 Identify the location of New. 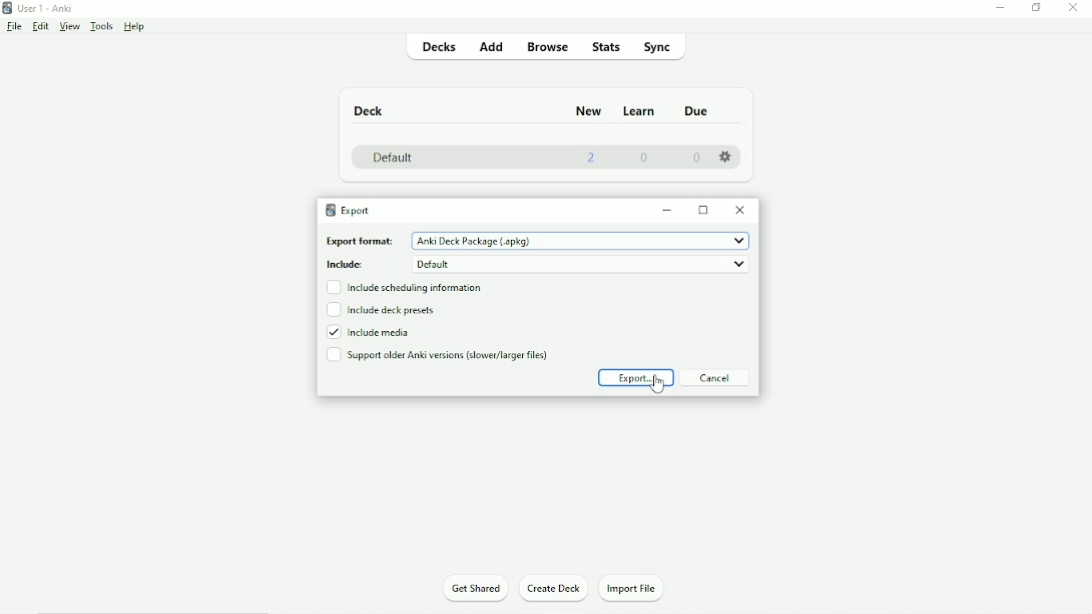
(590, 112).